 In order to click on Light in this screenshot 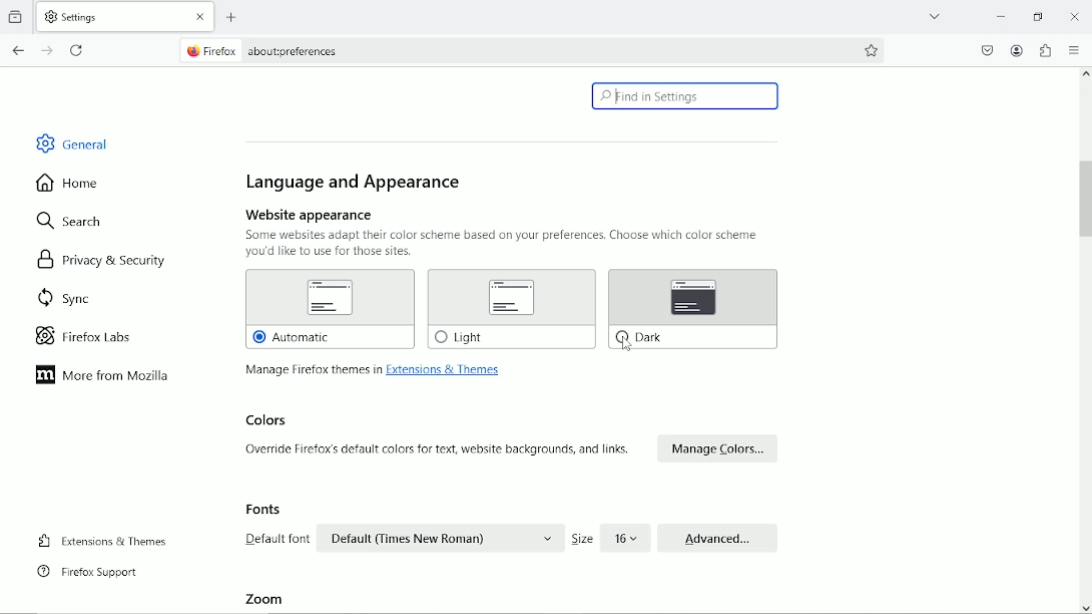, I will do `click(512, 309)`.